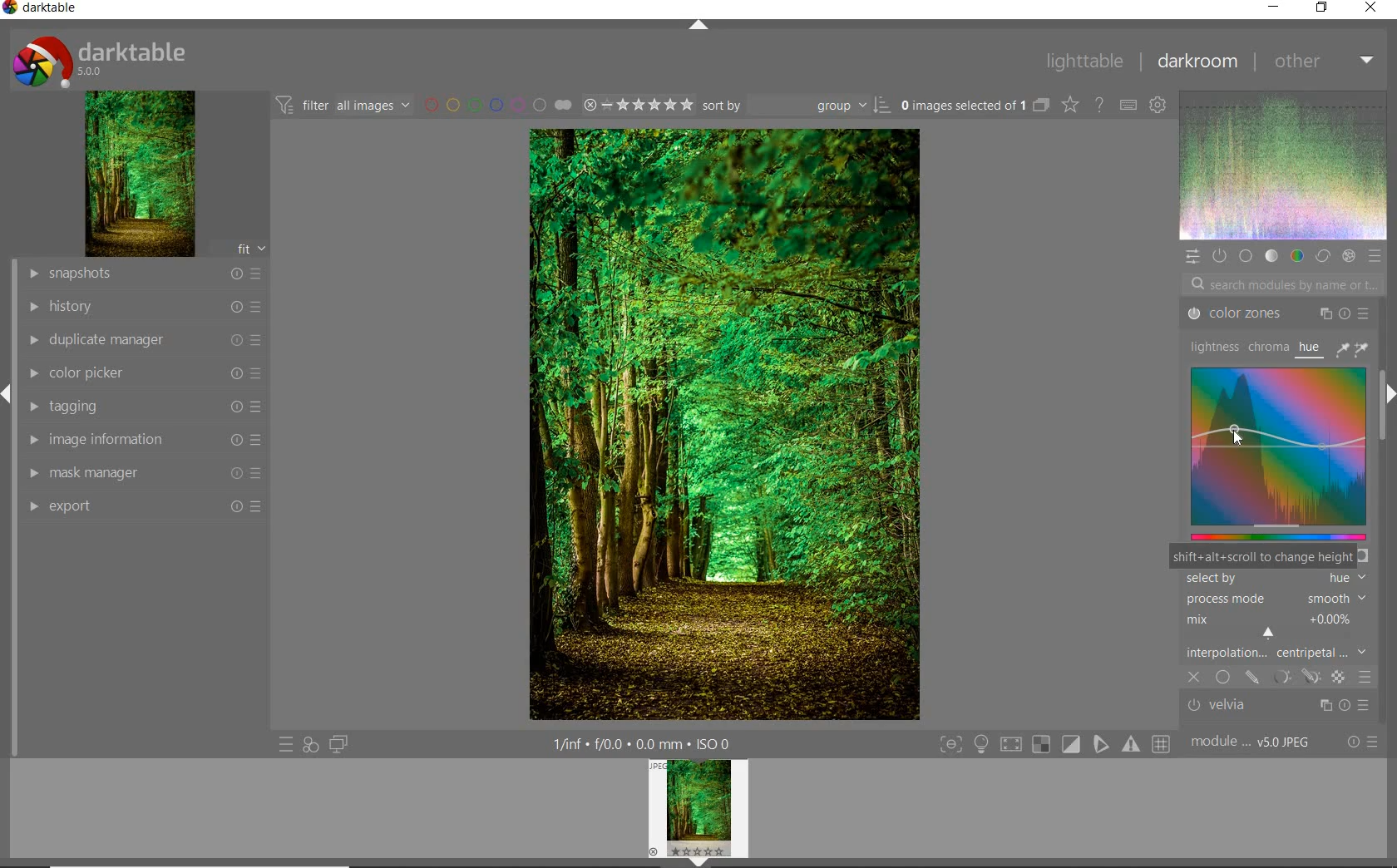 The height and width of the screenshot is (868, 1397). What do you see at coordinates (1284, 165) in the screenshot?
I see `WAVEFORM` at bounding box center [1284, 165].